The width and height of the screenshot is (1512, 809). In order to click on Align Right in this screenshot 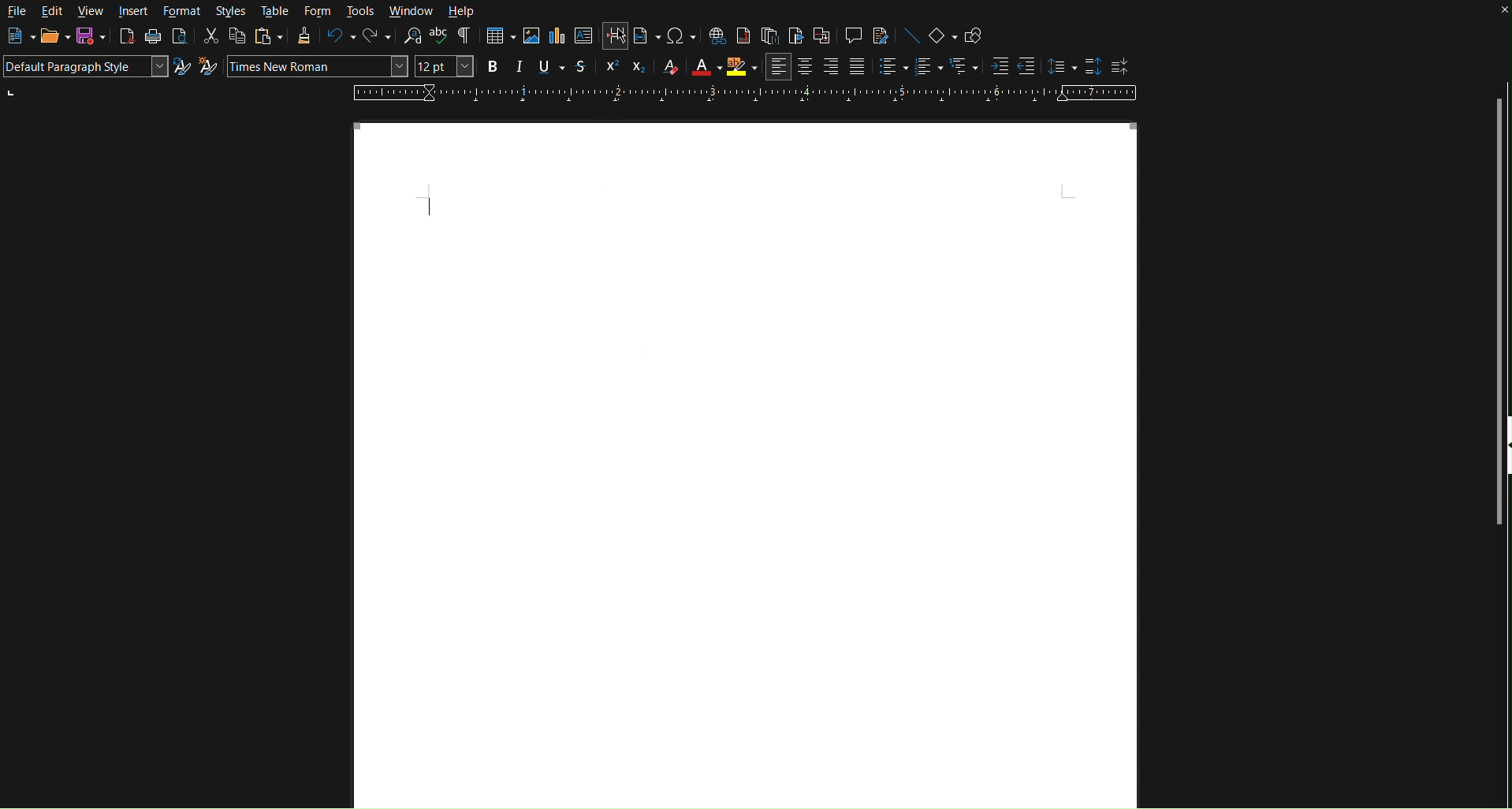, I will do `click(832, 66)`.